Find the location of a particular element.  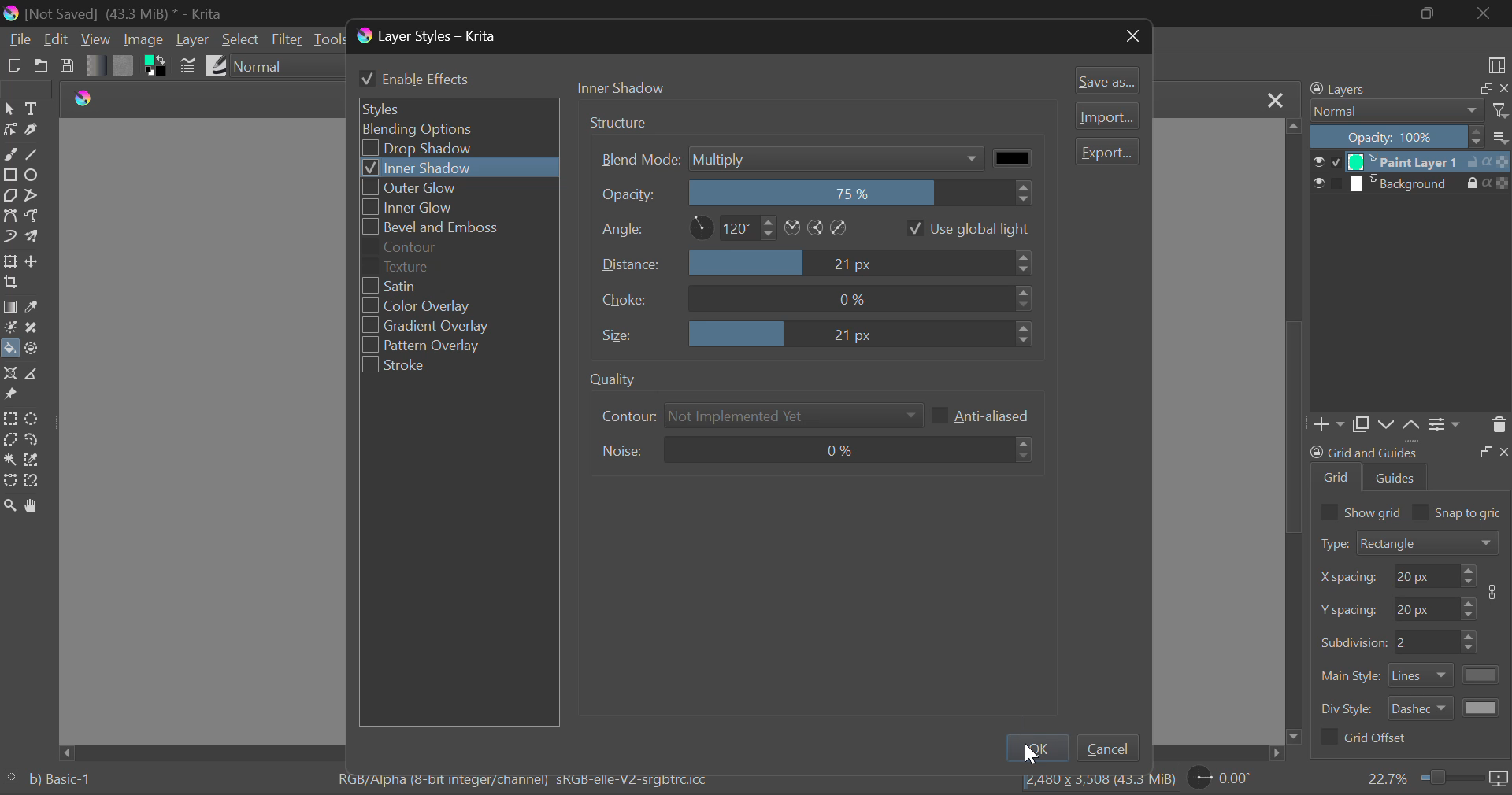

Transform Layer is located at coordinates (9, 261).